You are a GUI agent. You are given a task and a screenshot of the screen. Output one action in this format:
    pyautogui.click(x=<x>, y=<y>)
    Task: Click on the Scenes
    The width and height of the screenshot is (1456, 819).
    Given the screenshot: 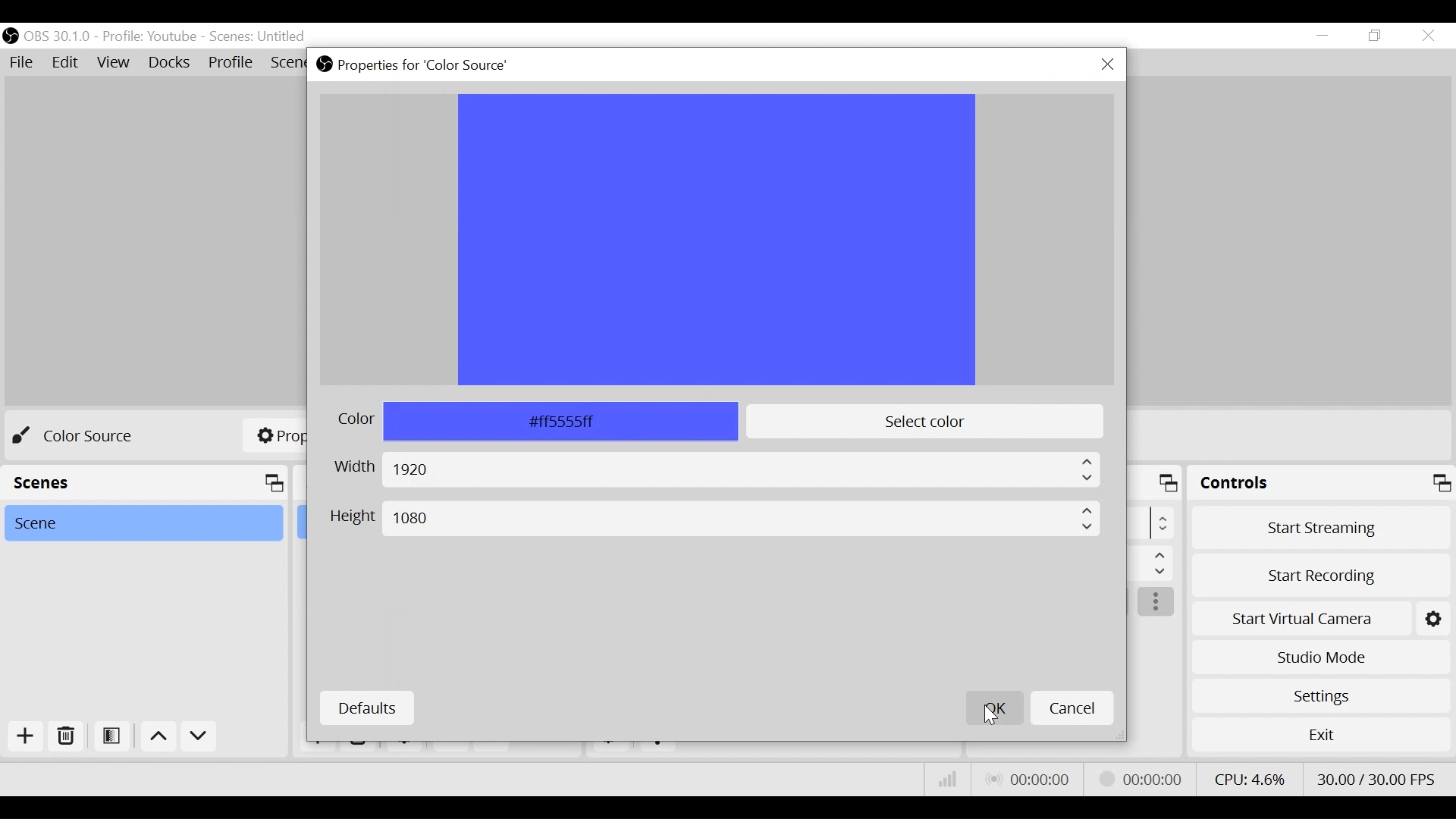 What is the action you would take?
    pyautogui.click(x=259, y=37)
    